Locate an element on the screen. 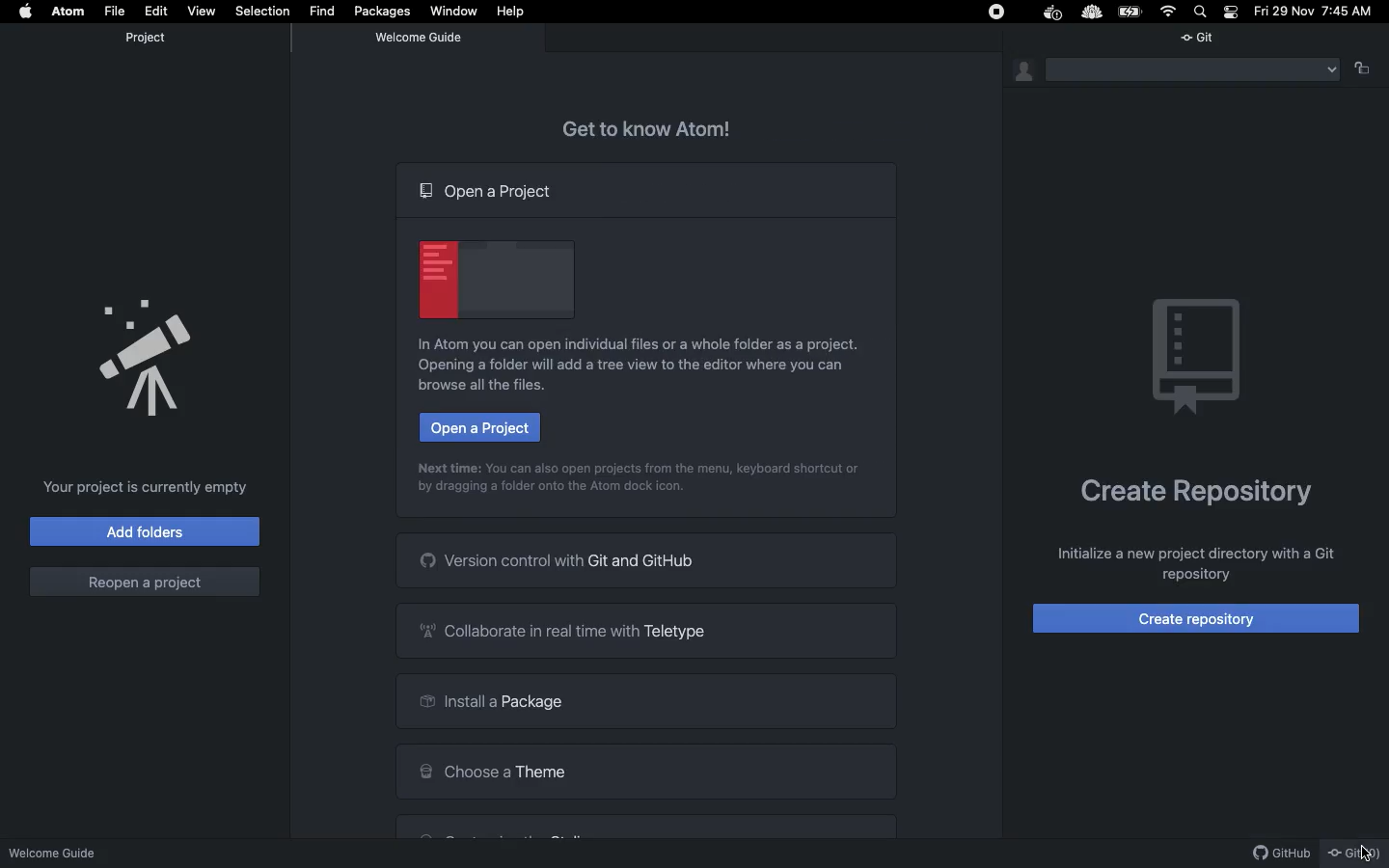 Image resolution: width=1389 pixels, height=868 pixels. Welcome guide is located at coordinates (422, 38).